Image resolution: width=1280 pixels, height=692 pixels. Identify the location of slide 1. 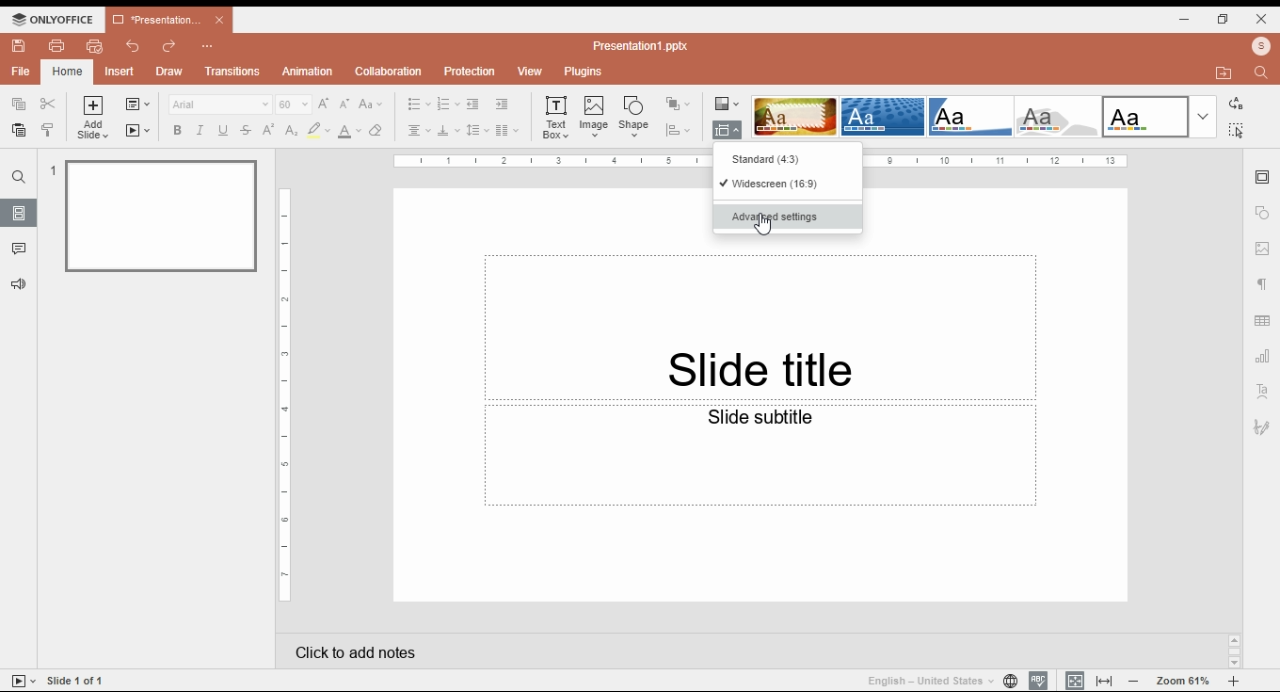
(154, 214).